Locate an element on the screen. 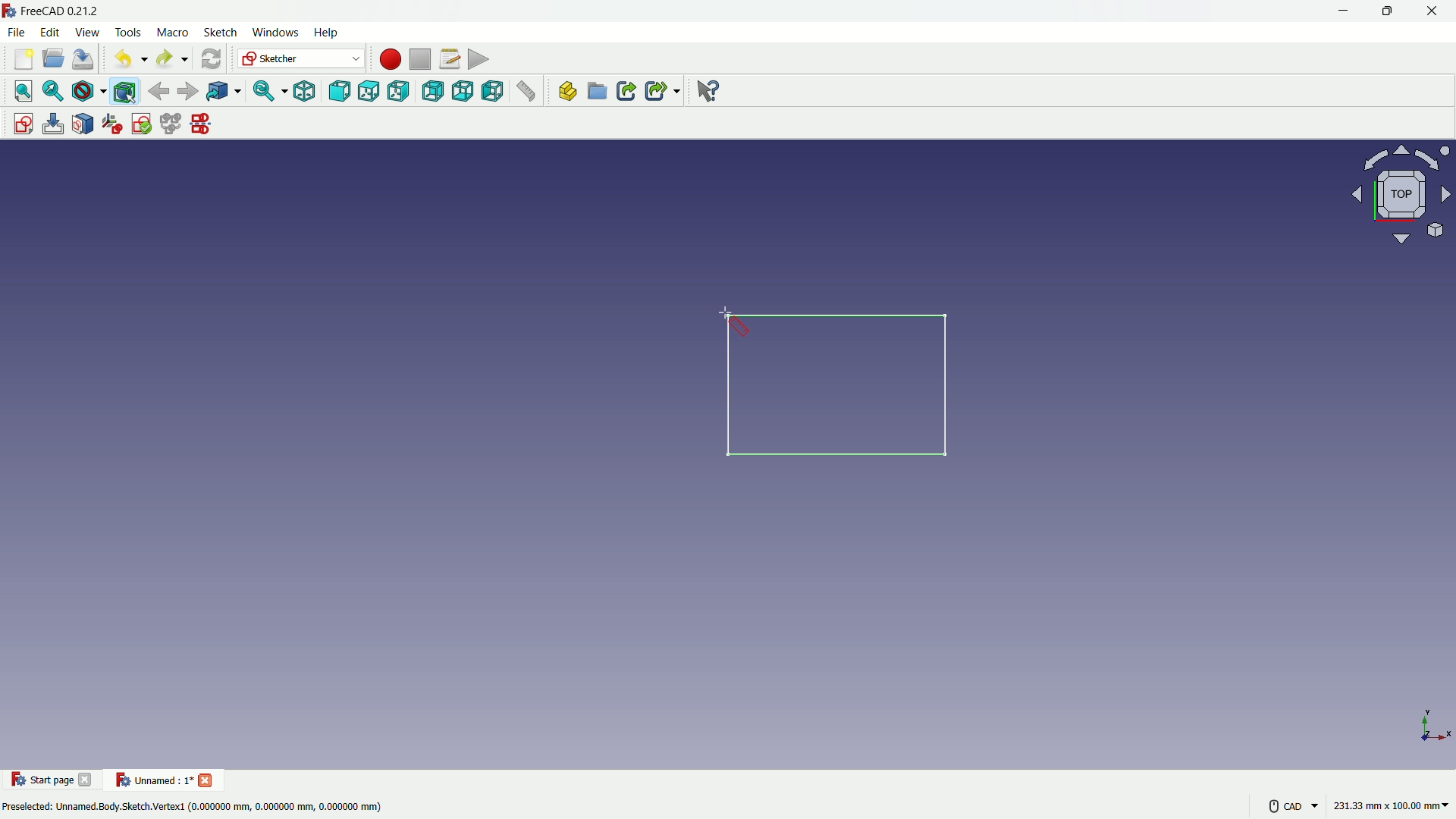 The height and width of the screenshot is (819, 1456). sketch menu is located at coordinates (220, 33).